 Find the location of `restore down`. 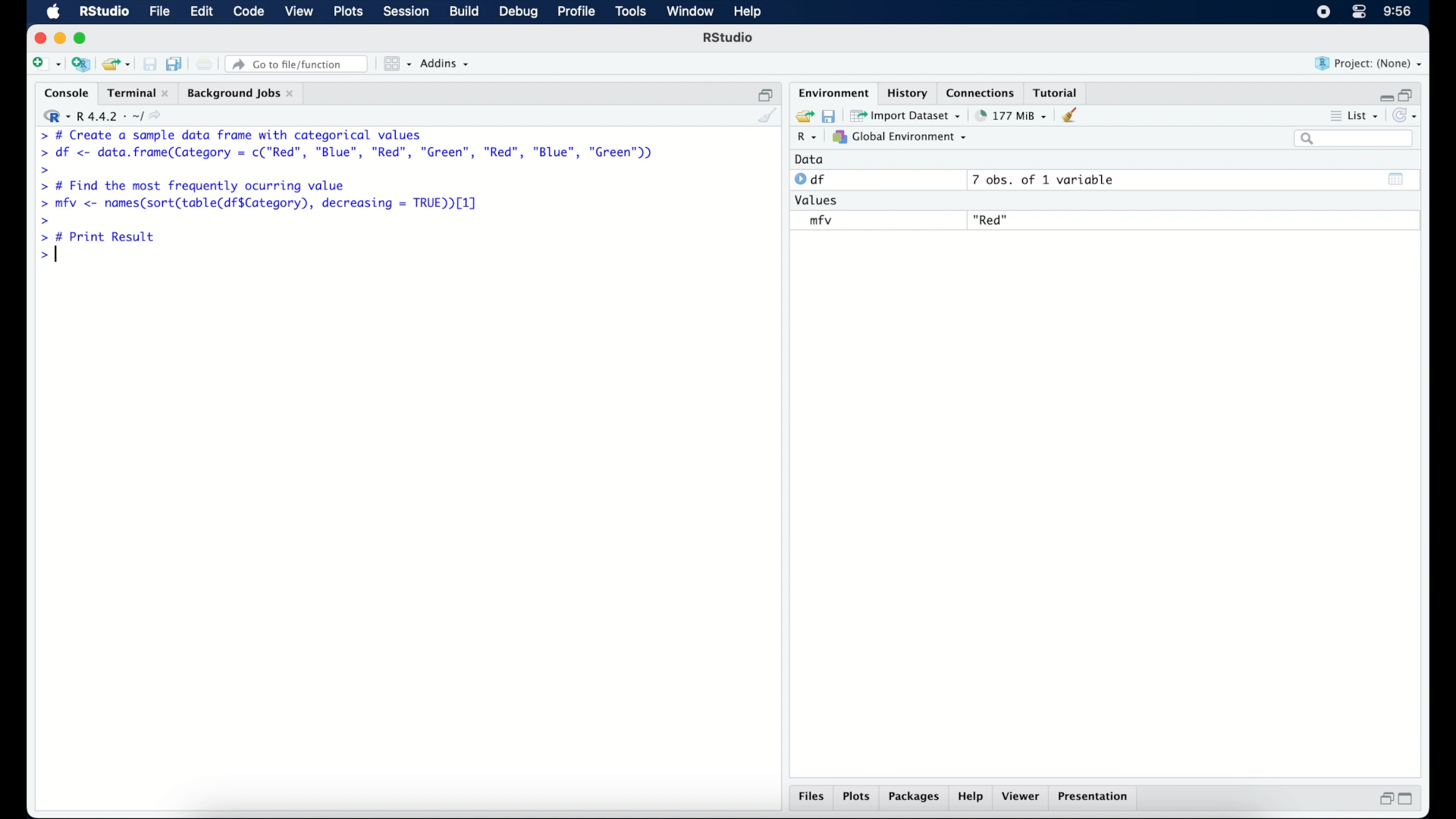

restore down is located at coordinates (764, 92).